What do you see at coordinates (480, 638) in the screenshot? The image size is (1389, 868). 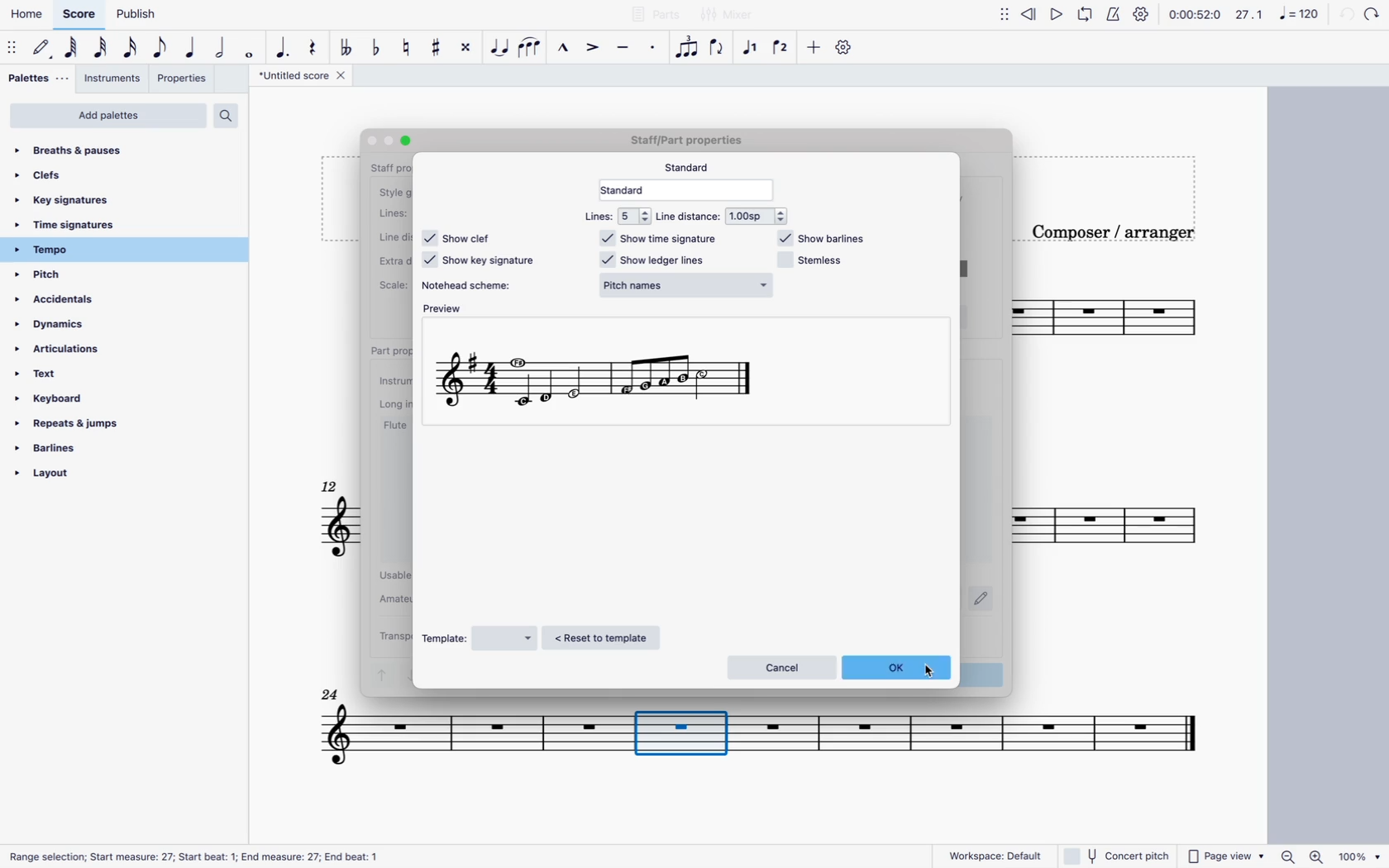 I see `template` at bounding box center [480, 638].